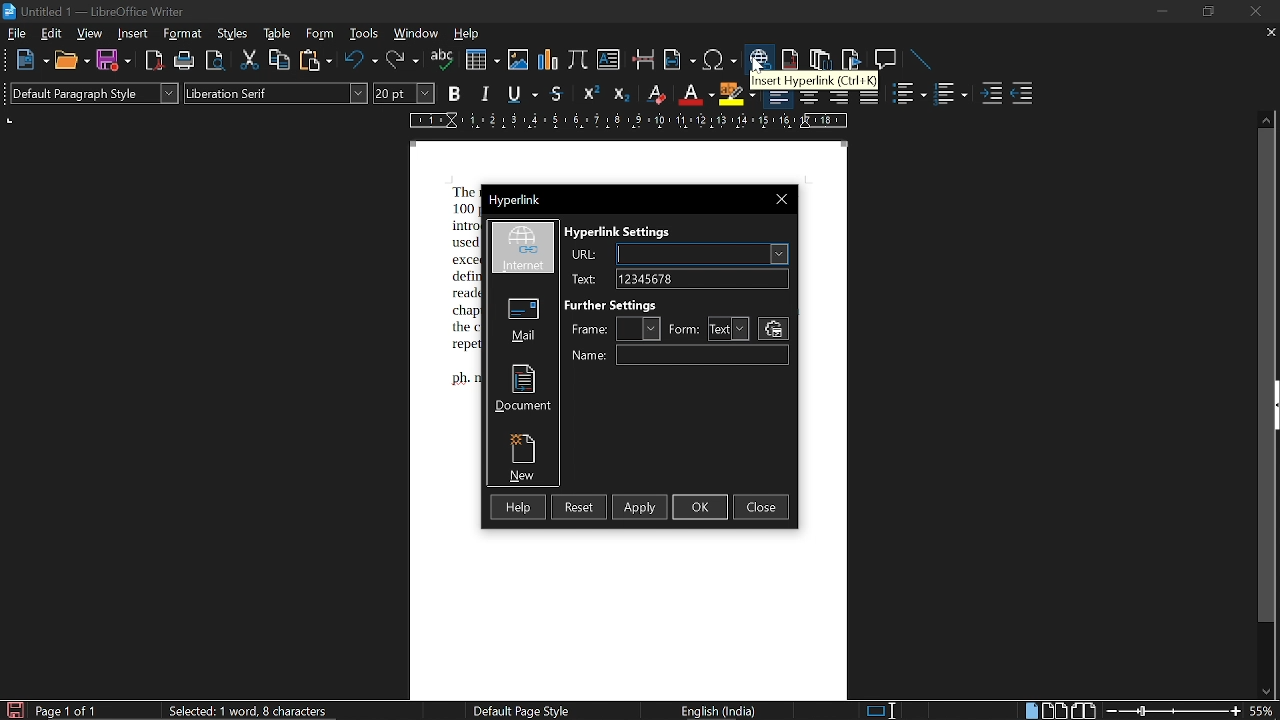 The width and height of the screenshot is (1280, 720). What do you see at coordinates (524, 249) in the screenshot?
I see `internet` at bounding box center [524, 249].